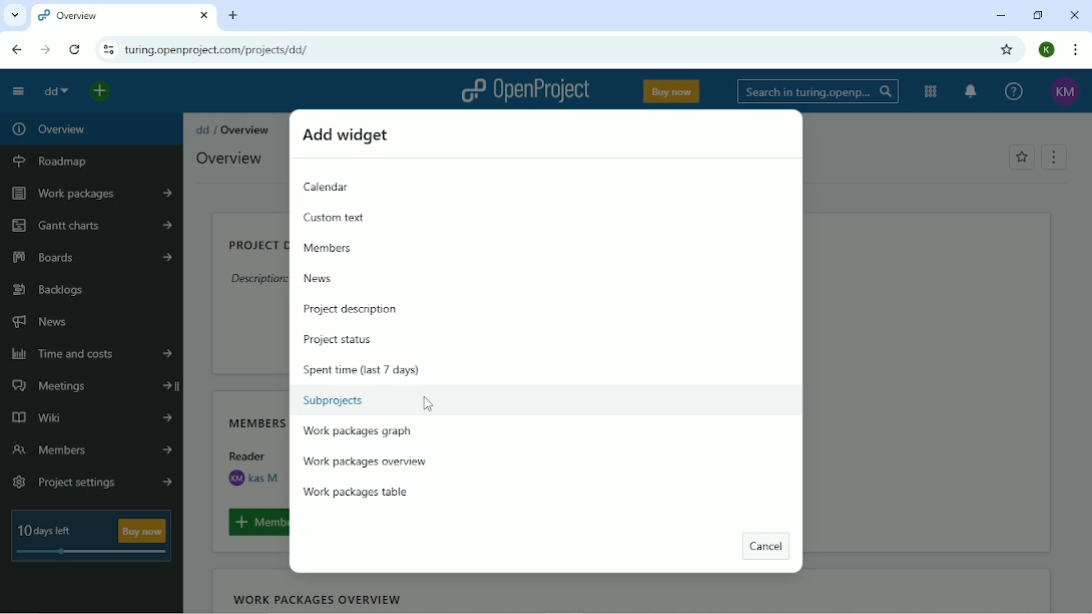 This screenshot has height=614, width=1092. I want to click on Project description, so click(349, 309).